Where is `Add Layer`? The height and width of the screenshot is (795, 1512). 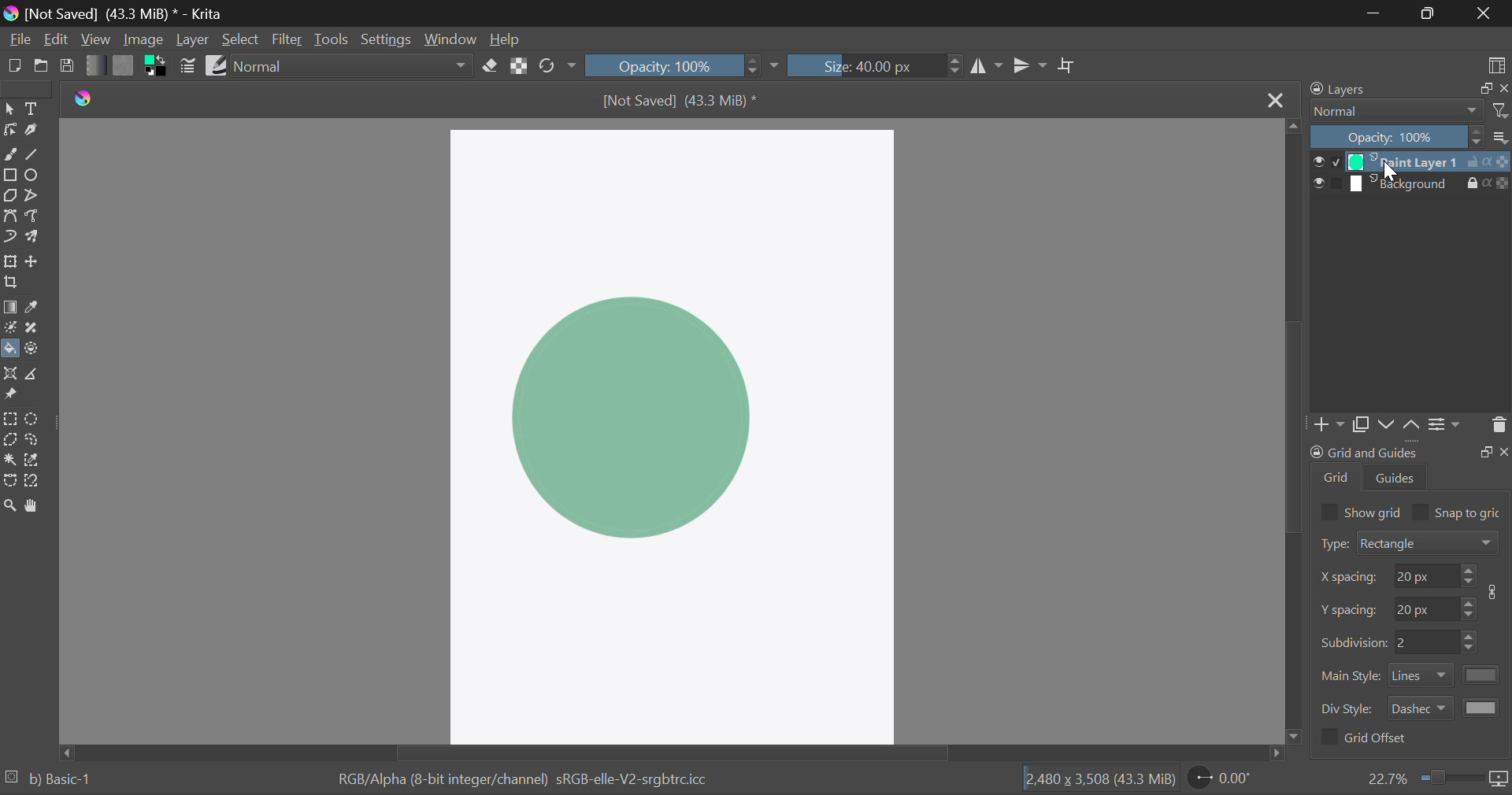
Add Layer is located at coordinates (1331, 426).